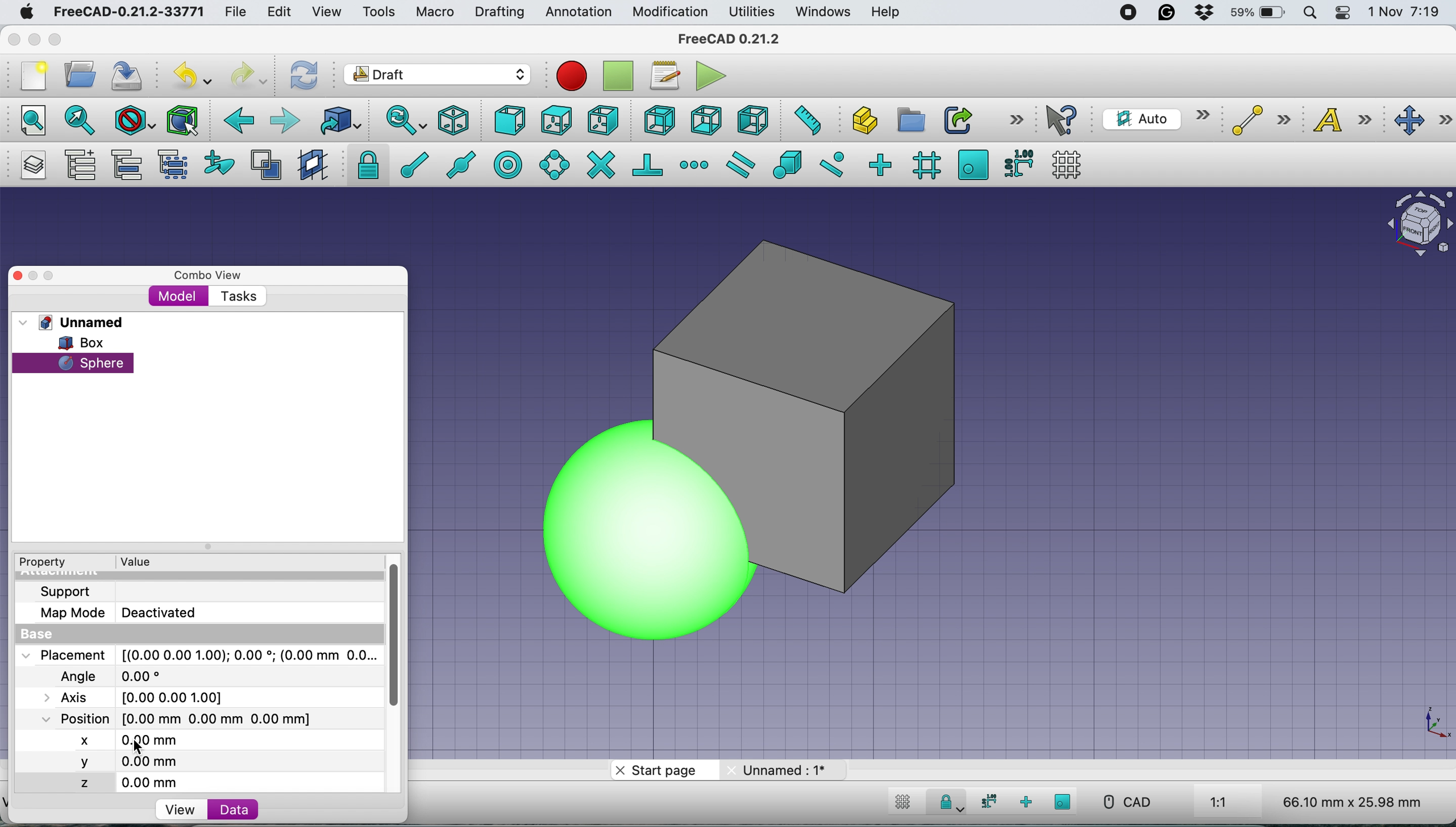 This screenshot has height=827, width=1456. I want to click on toggle grid, so click(1067, 165).